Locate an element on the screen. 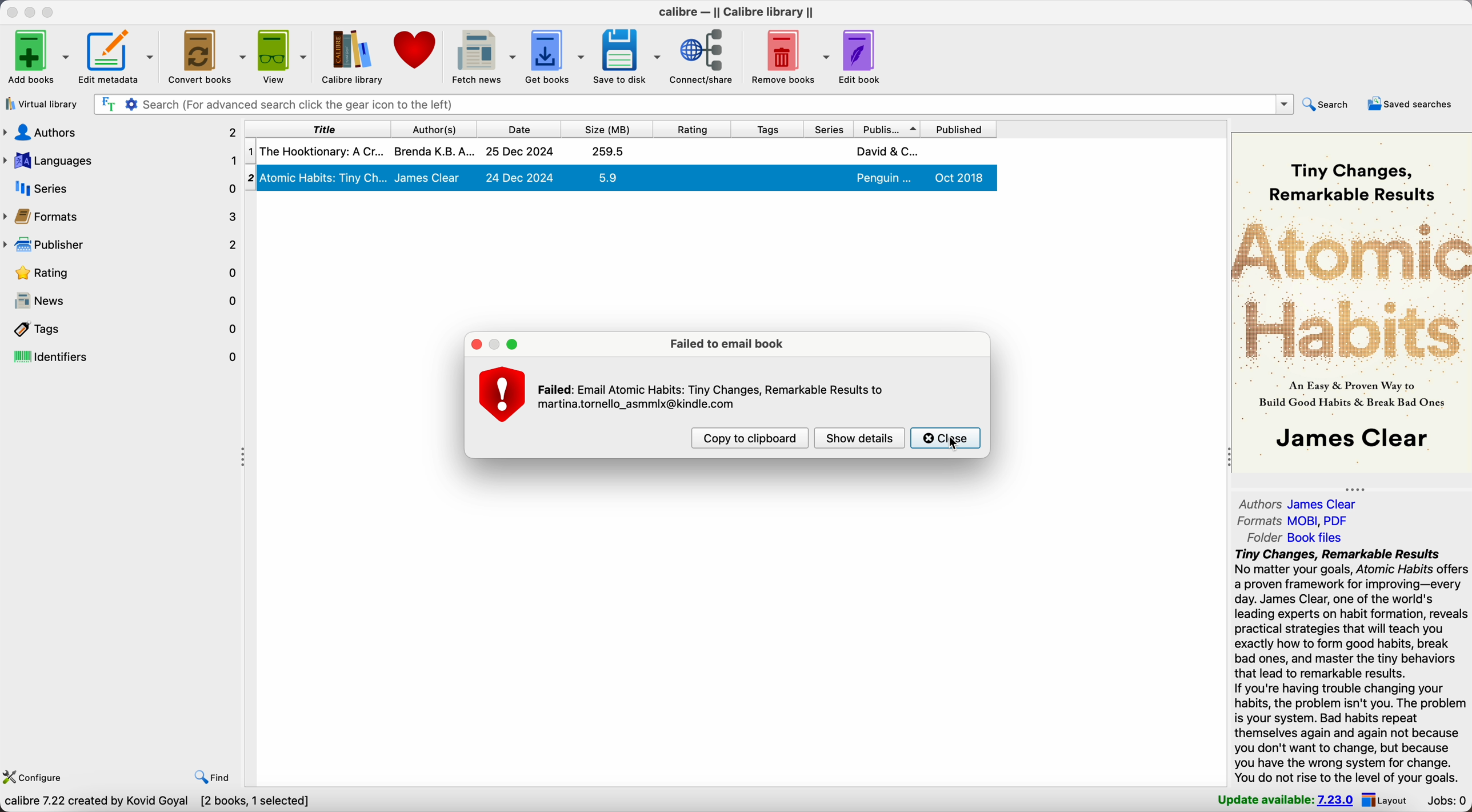 This screenshot has width=1472, height=812. 2| Atomic Habits: Tiny Ch... is located at coordinates (325, 177).